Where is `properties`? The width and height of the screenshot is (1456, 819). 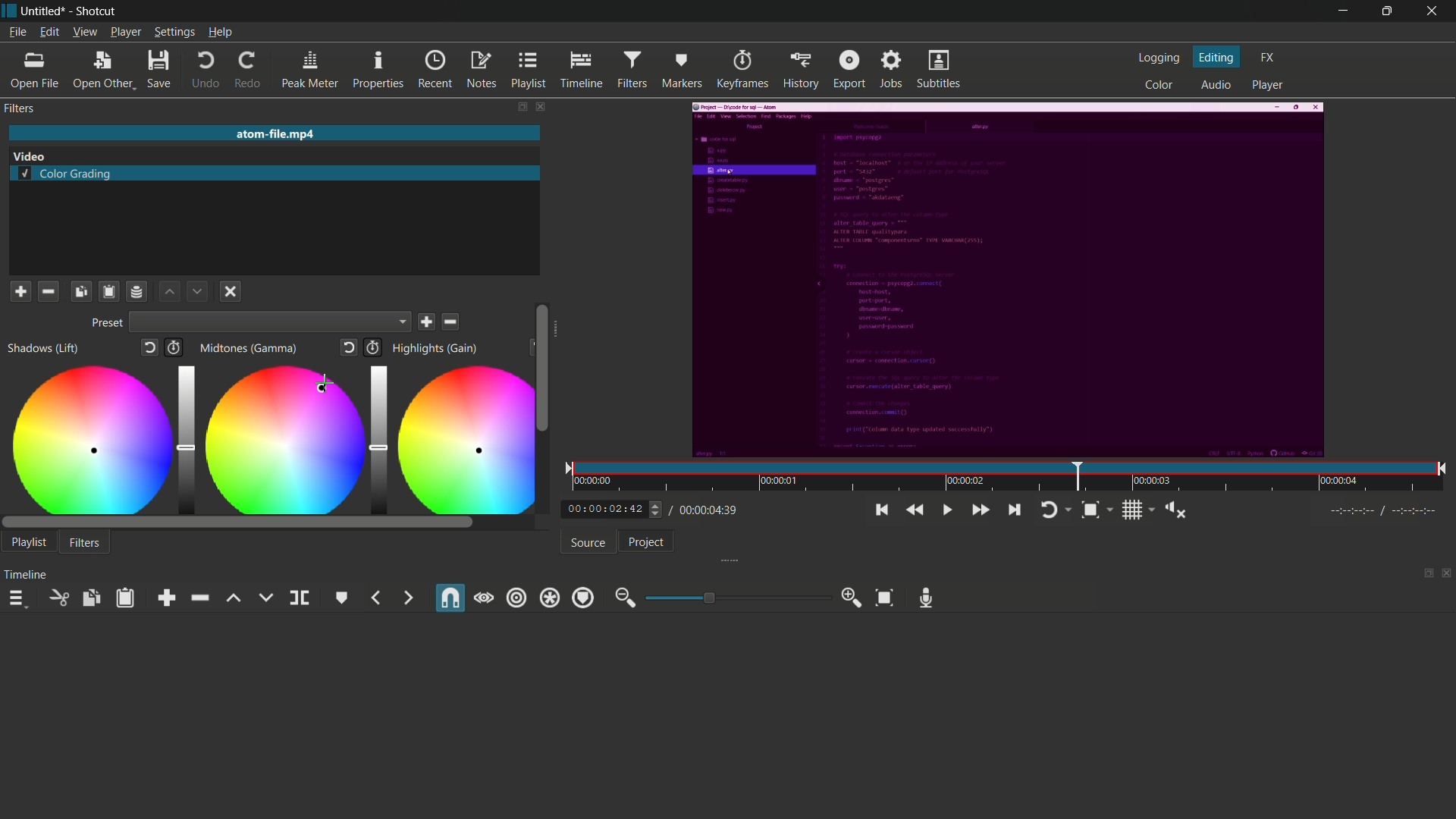
properties is located at coordinates (377, 71).